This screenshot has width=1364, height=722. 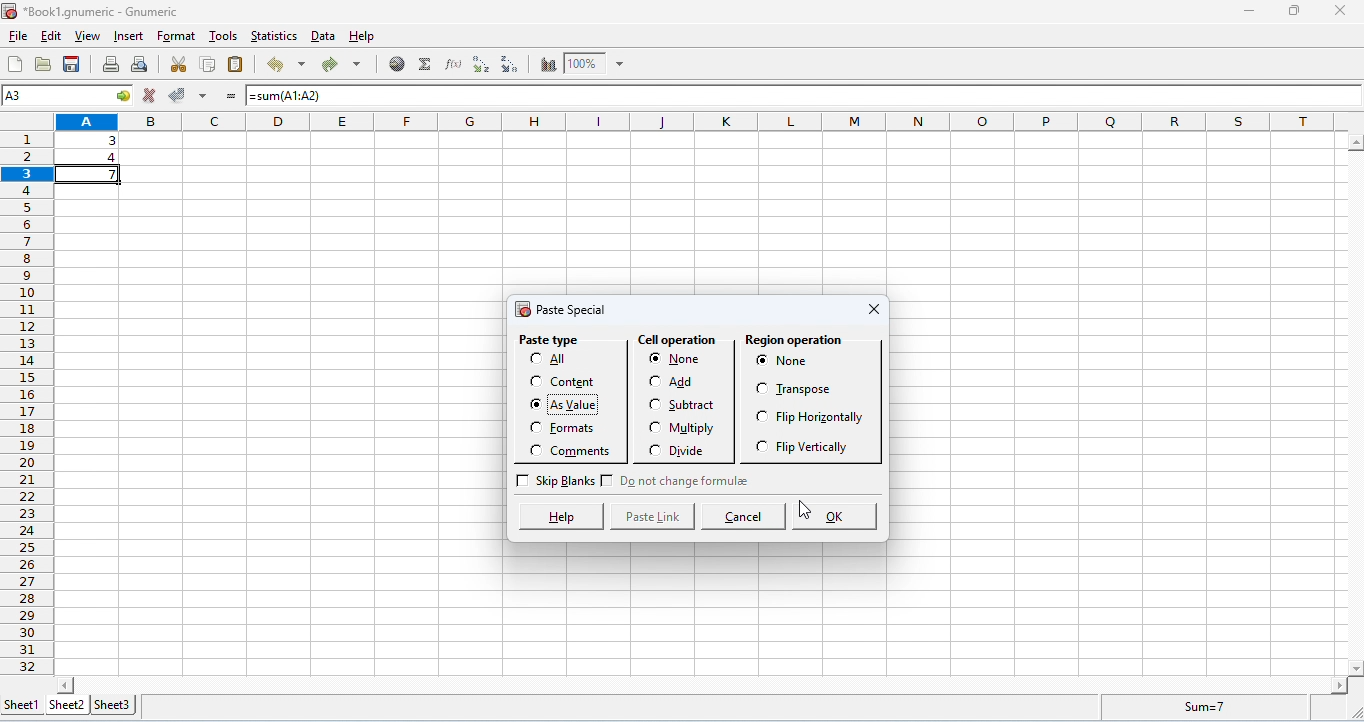 I want to click on Checkbox, so click(x=760, y=417).